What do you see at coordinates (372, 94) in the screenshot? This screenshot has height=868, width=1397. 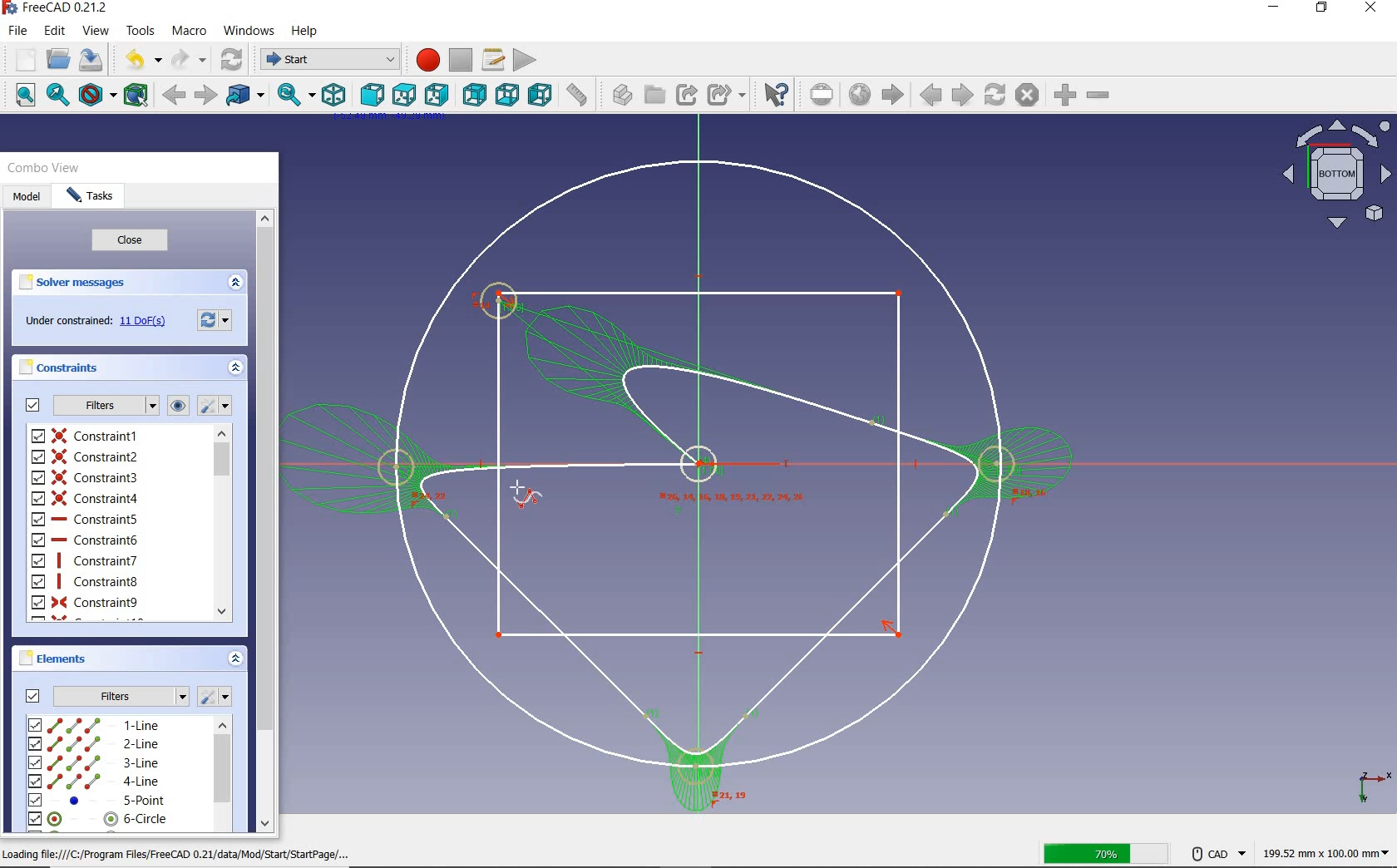 I see `front` at bounding box center [372, 94].